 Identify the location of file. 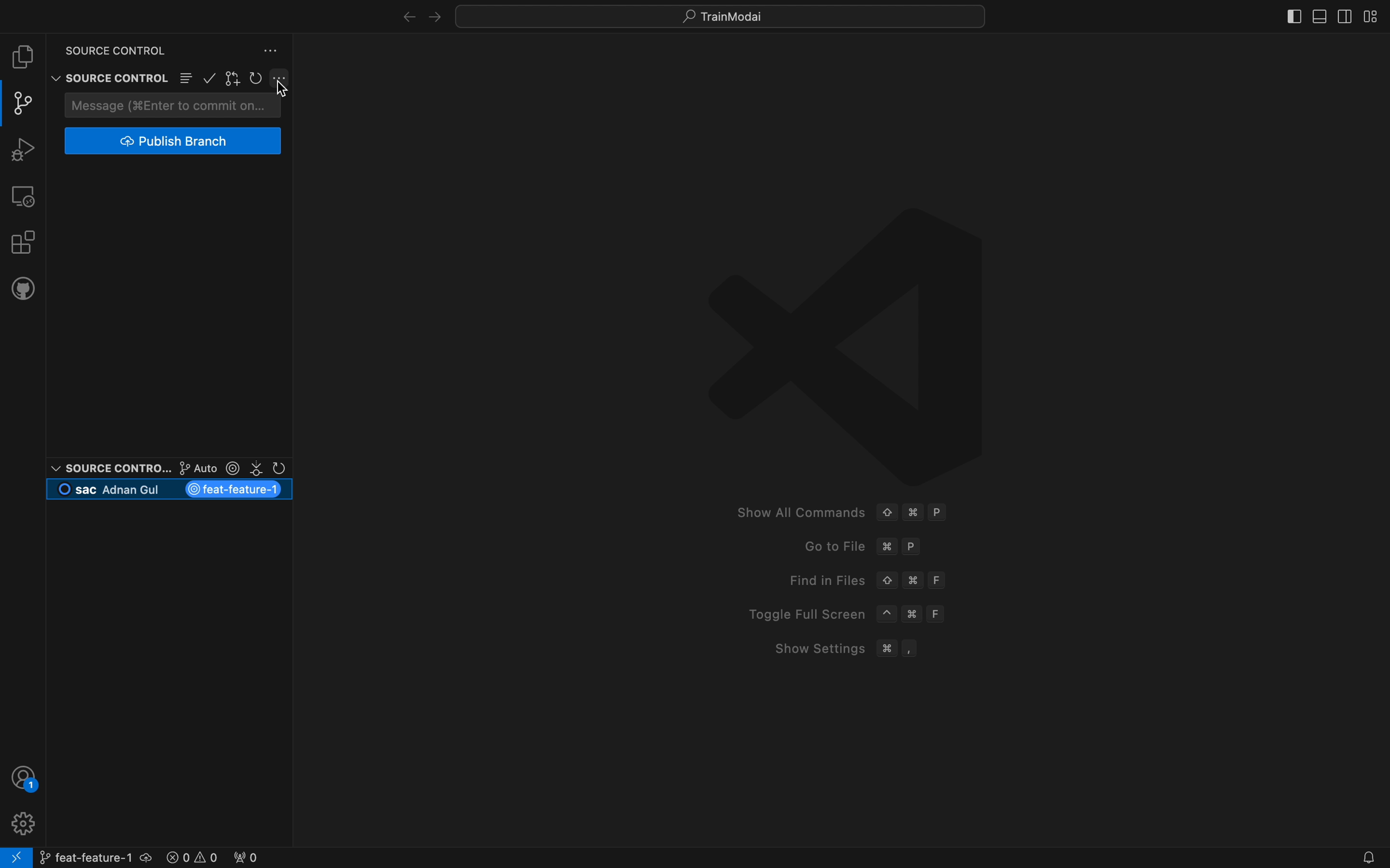
(23, 57).